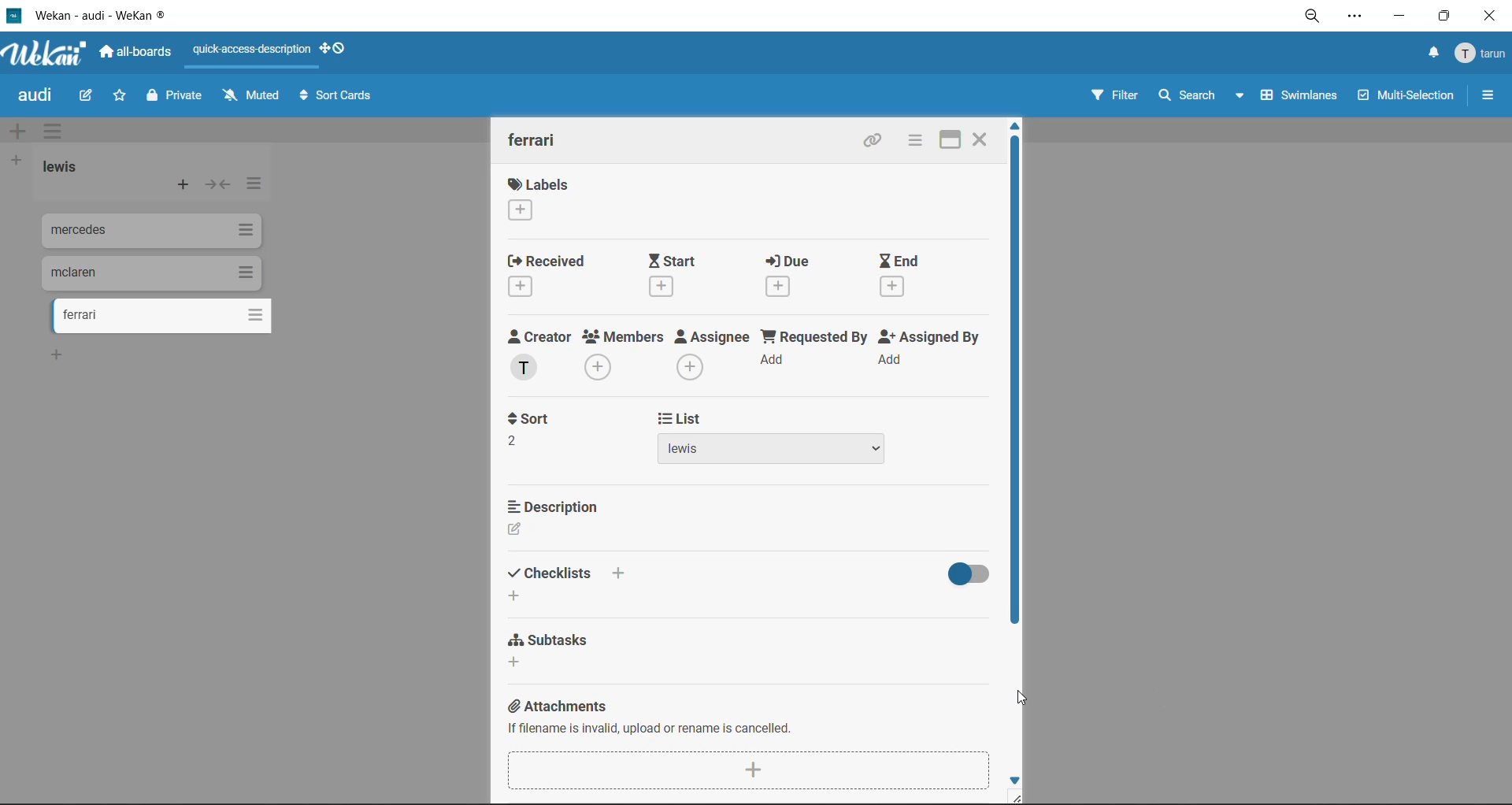  I want to click on star, so click(119, 96).